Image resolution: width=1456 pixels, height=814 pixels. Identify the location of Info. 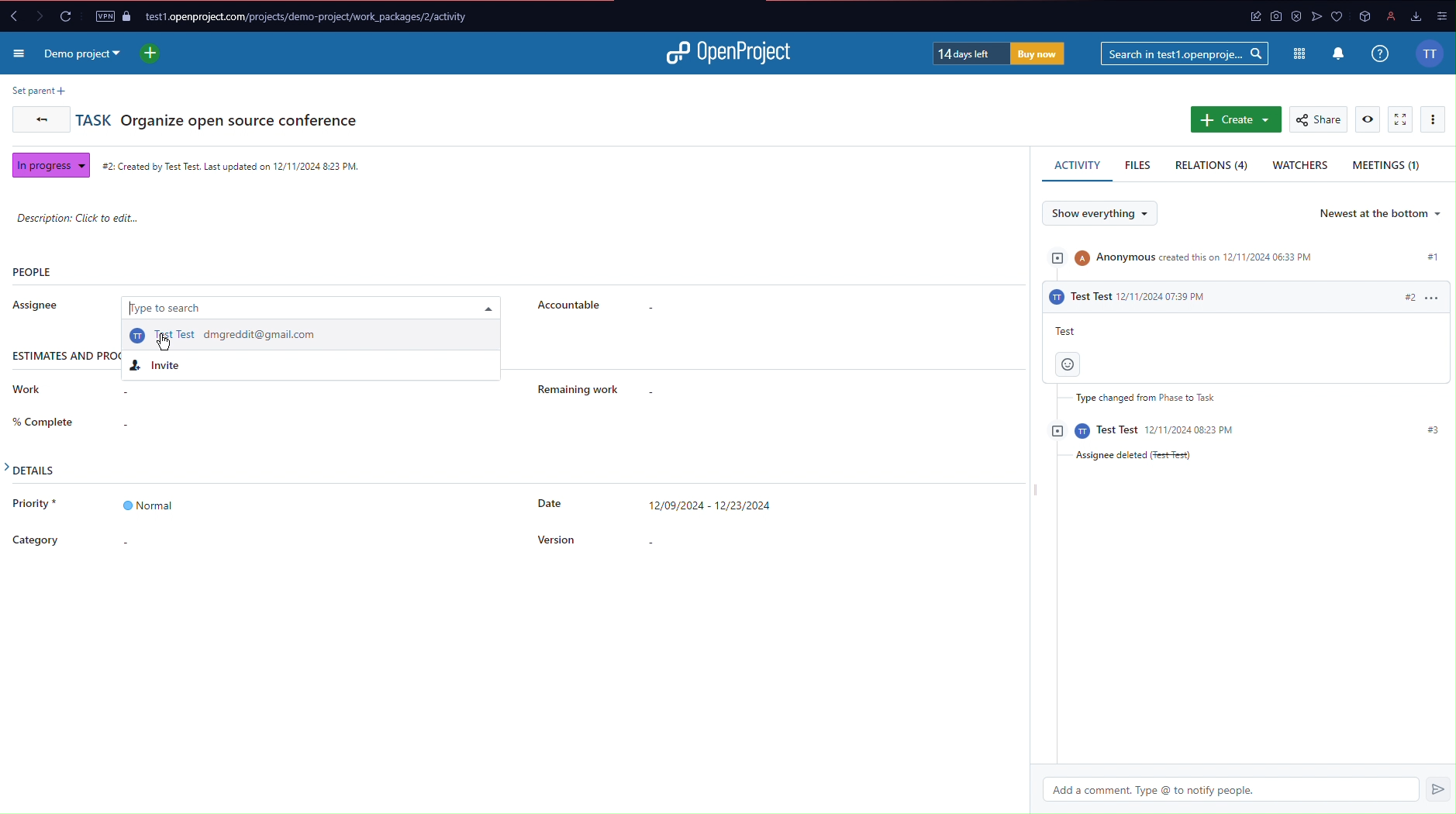
(1382, 54).